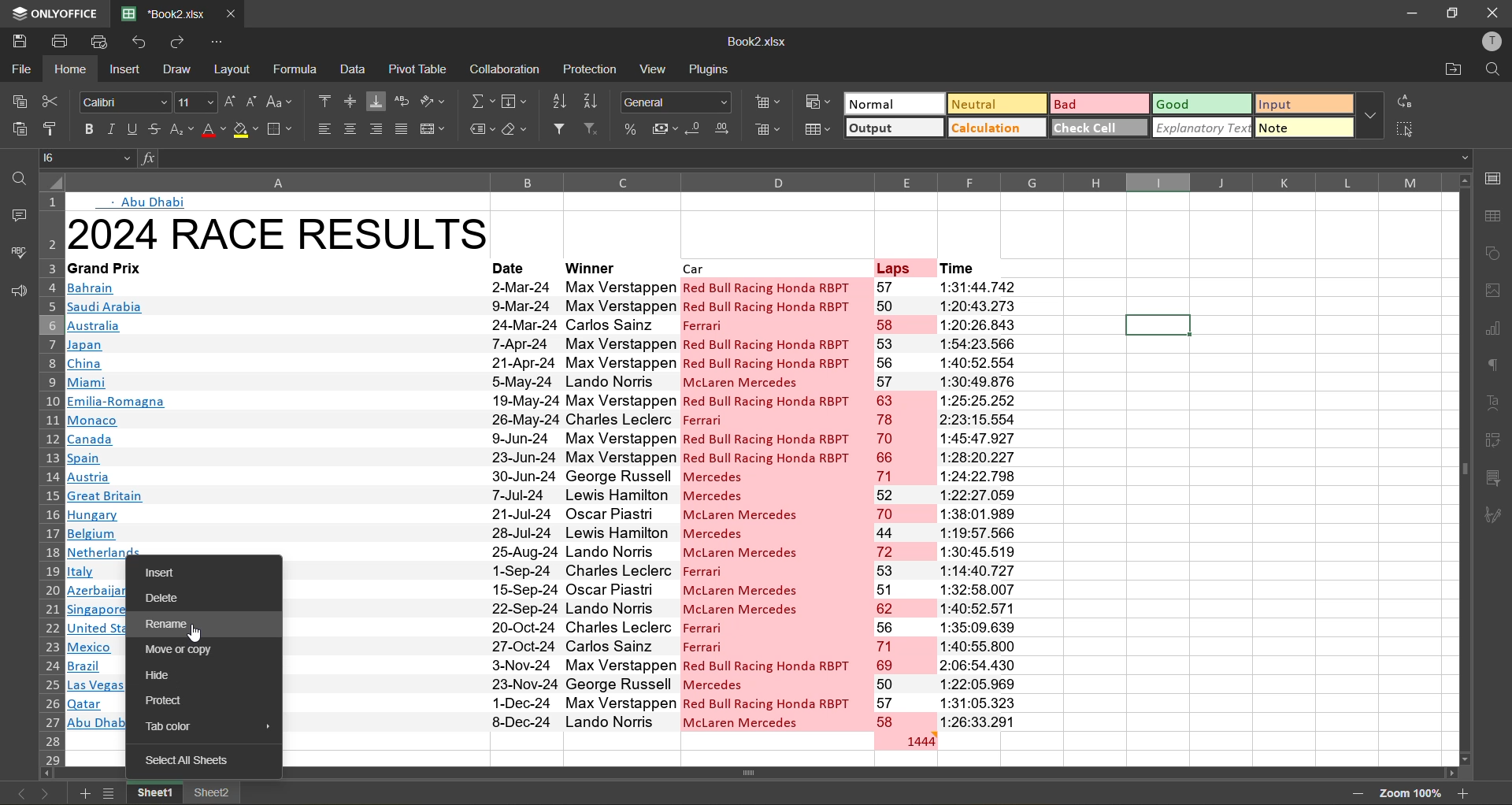 The height and width of the screenshot is (805, 1512). Describe the element at coordinates (663, 128) in the screenshot. I see `accounting` at that location.